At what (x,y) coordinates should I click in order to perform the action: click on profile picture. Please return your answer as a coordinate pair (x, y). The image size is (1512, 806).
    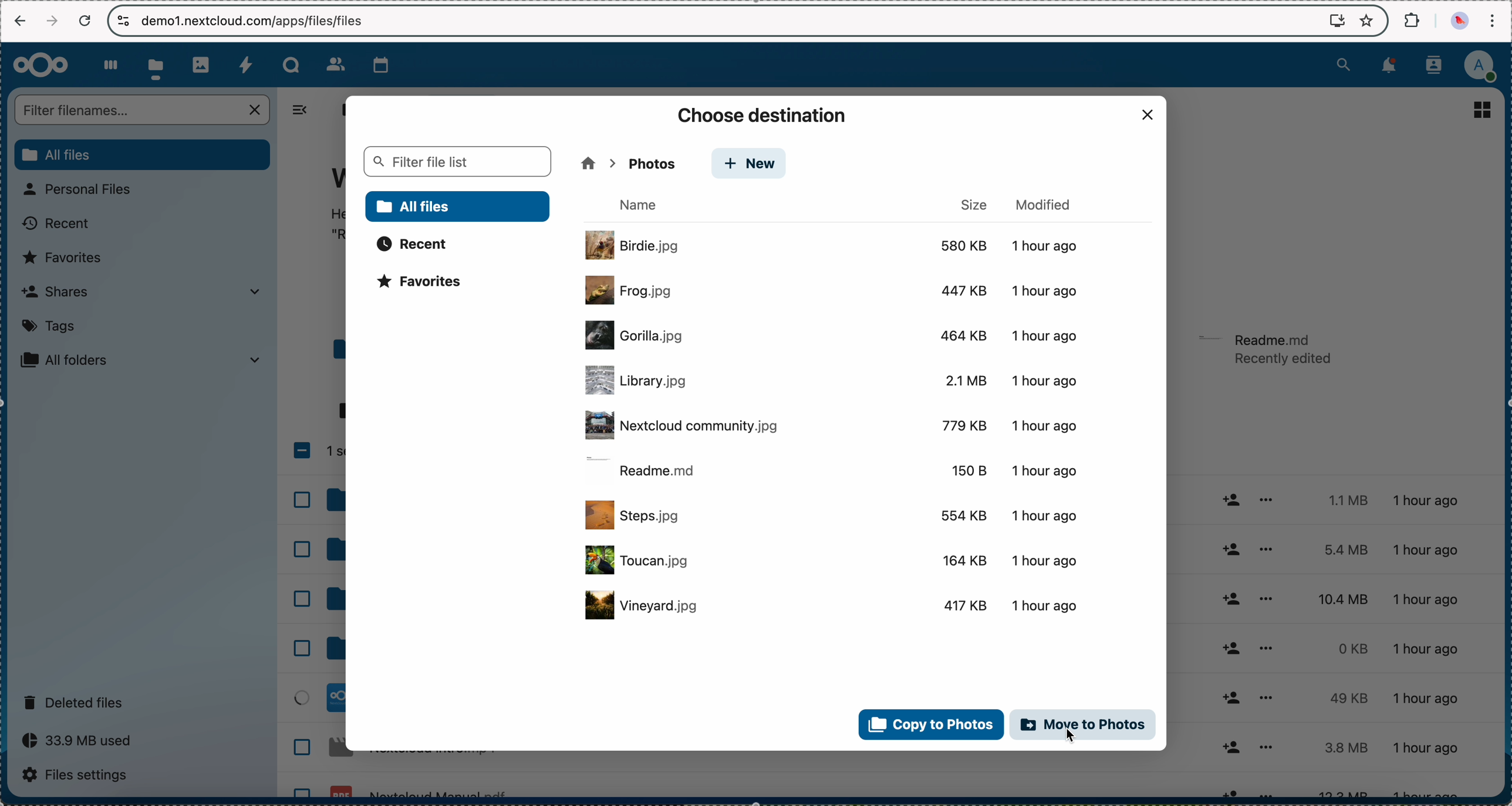
    Looking at the image, I should click on (1458, 21).